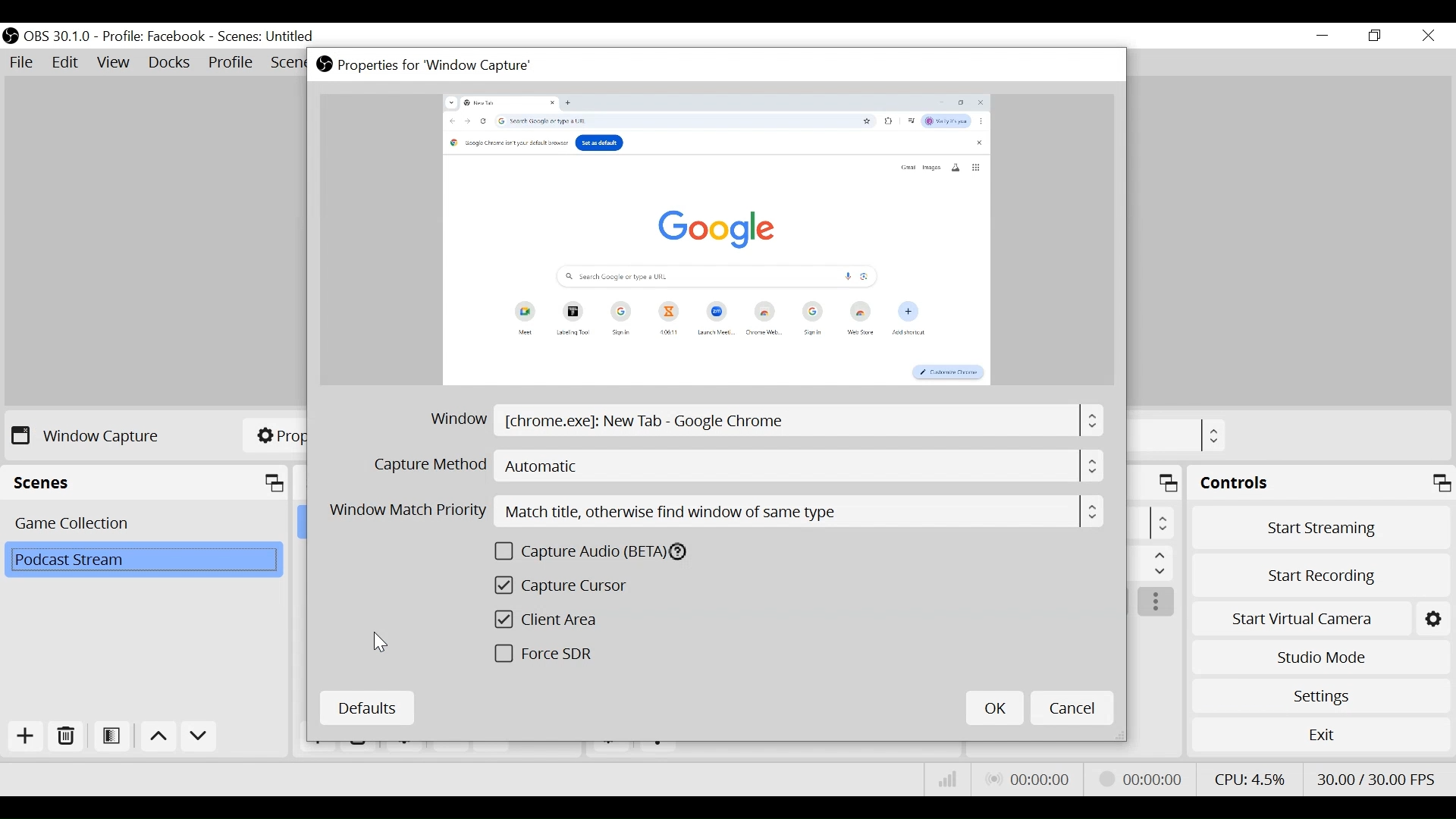 This screenshot has width=1456, height=819. Describe the element at coordinates (1376, 36) in the screenshot. I see `Restore` at that location.